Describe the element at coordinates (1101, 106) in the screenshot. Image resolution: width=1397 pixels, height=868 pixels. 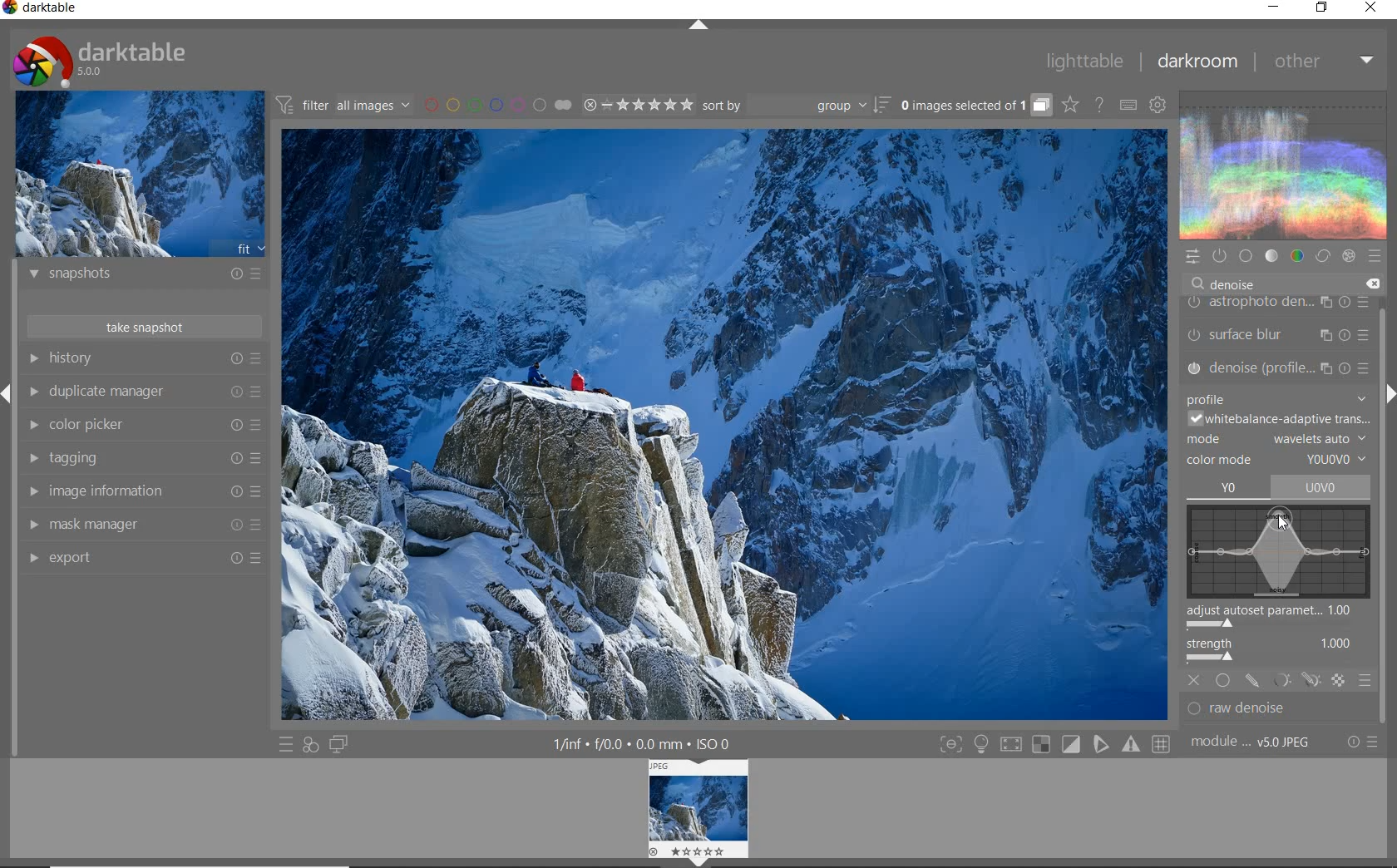
I see `enable online help` at that location.